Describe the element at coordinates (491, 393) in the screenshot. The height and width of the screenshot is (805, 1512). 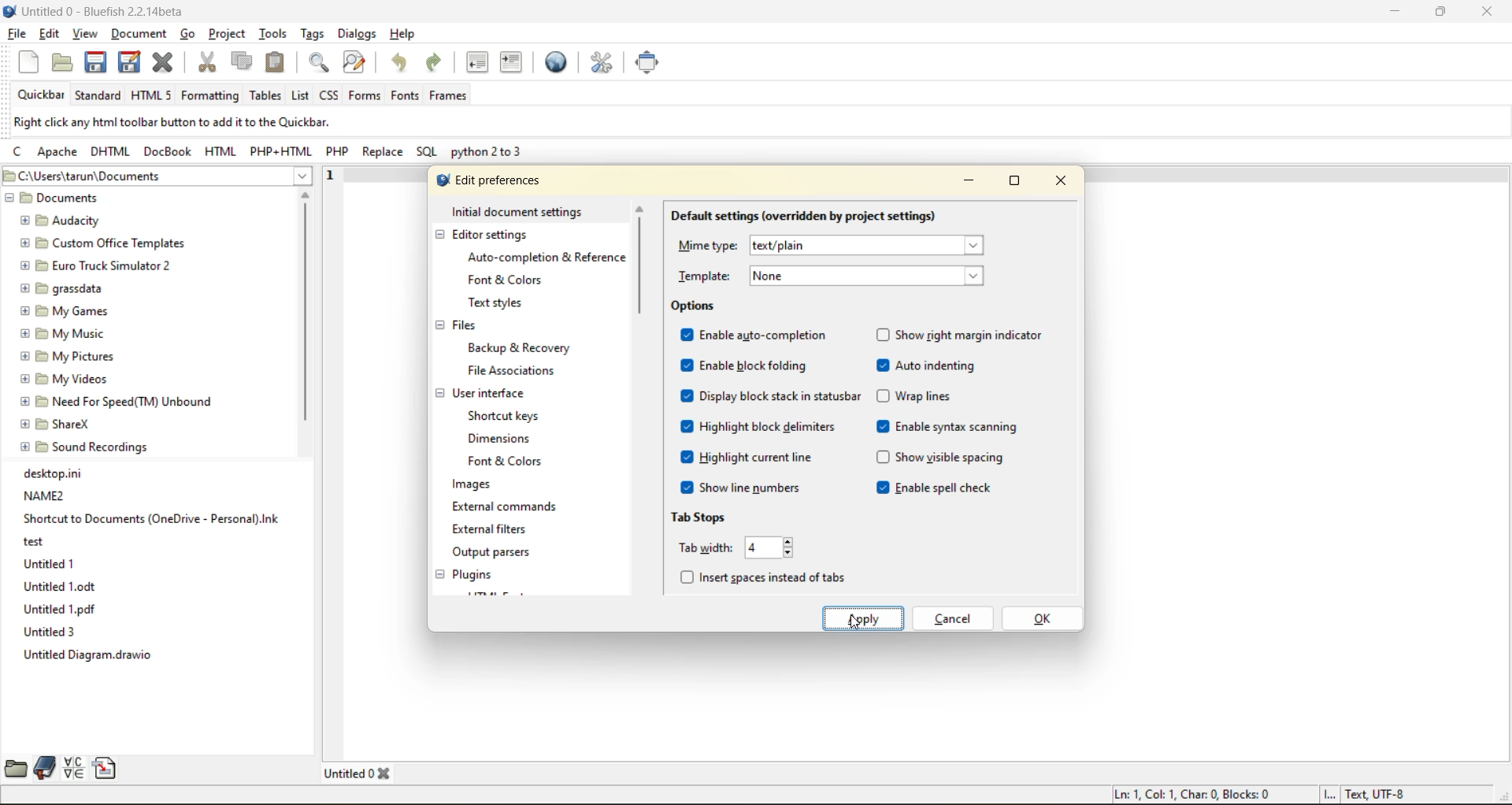
I see `user interface` at that location.